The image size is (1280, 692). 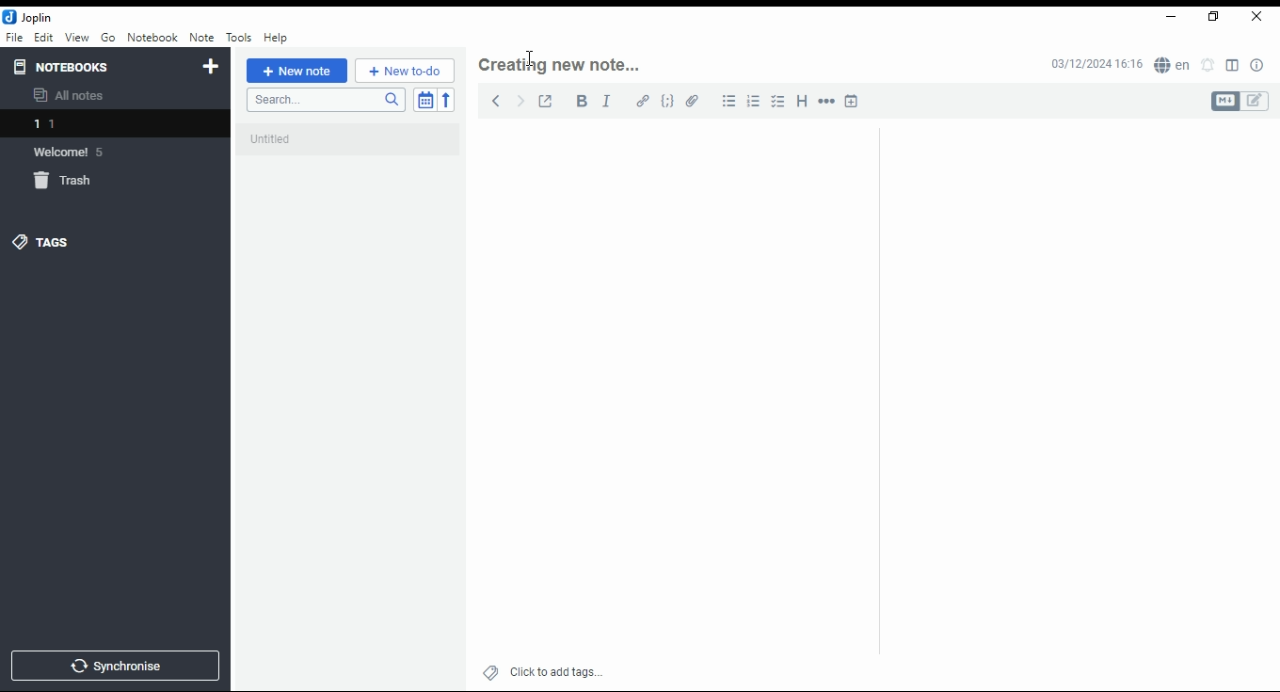 I want to click on go, so click(x=110, y=40).